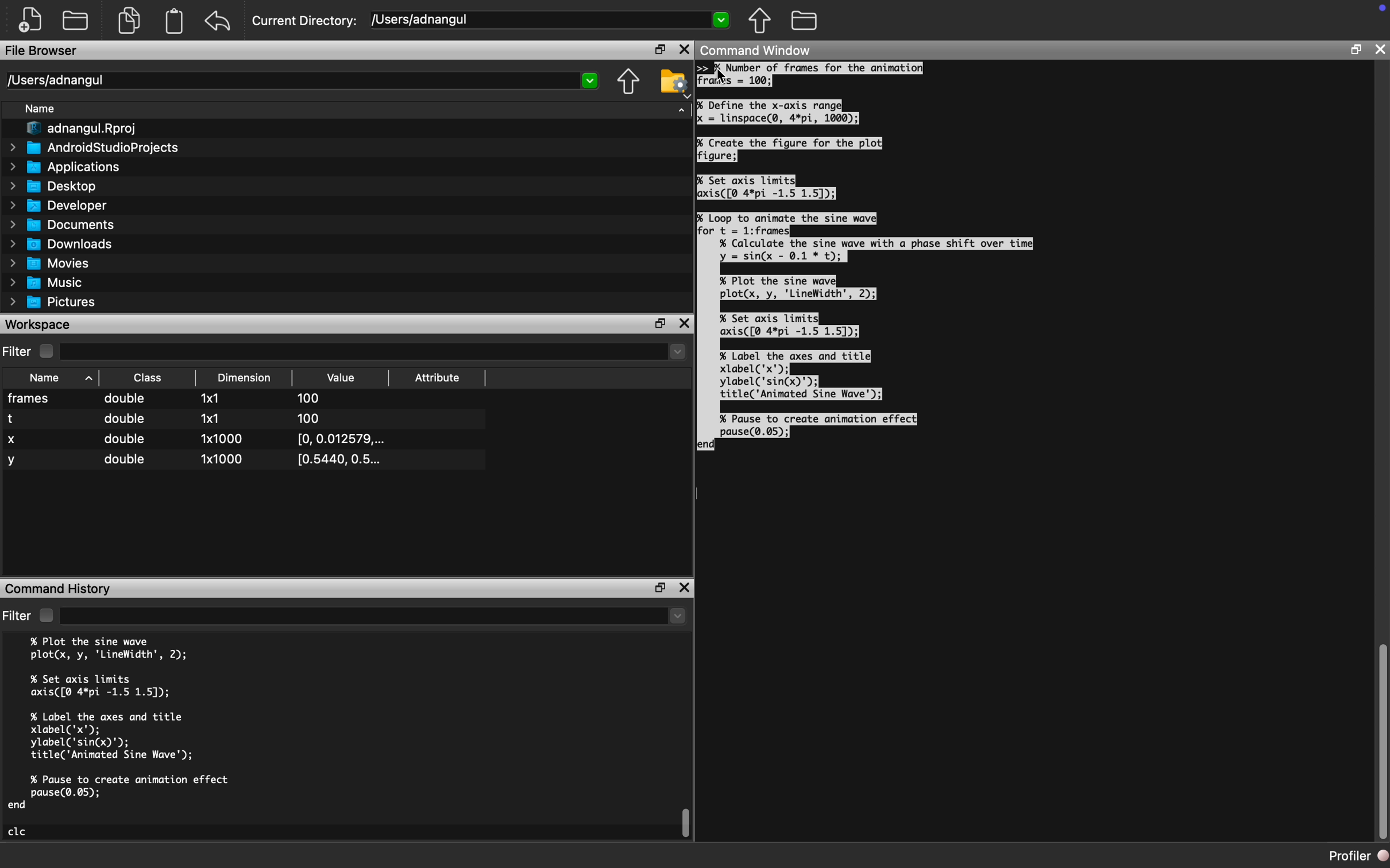 The width and height of the screenshot is (1390, 868). Describe the element at coordinates (792, 152) in the screenshot. I see `% Create the figure for the plot]
figure;` at that location.